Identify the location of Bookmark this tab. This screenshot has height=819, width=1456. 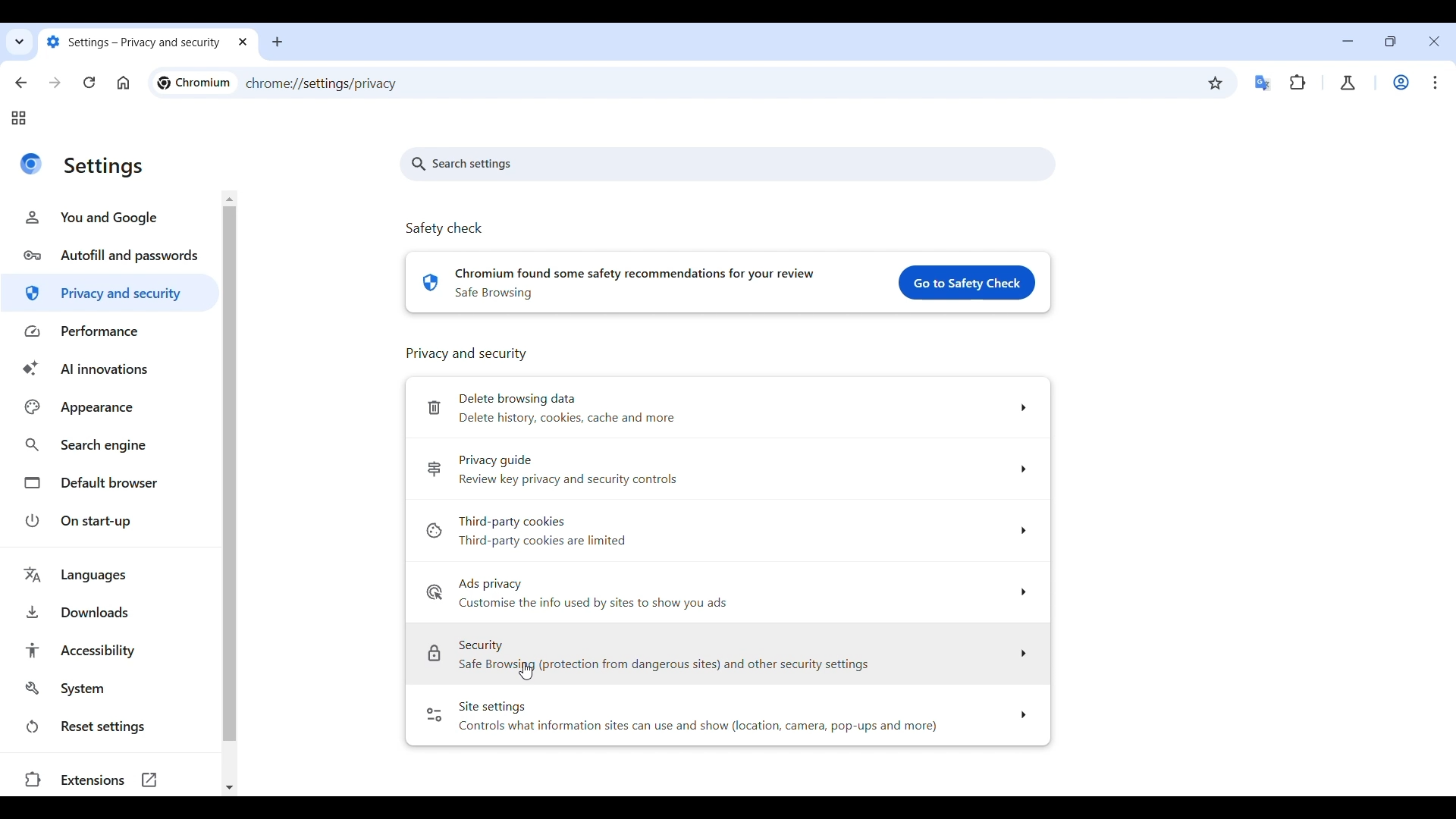
(1216, 83).